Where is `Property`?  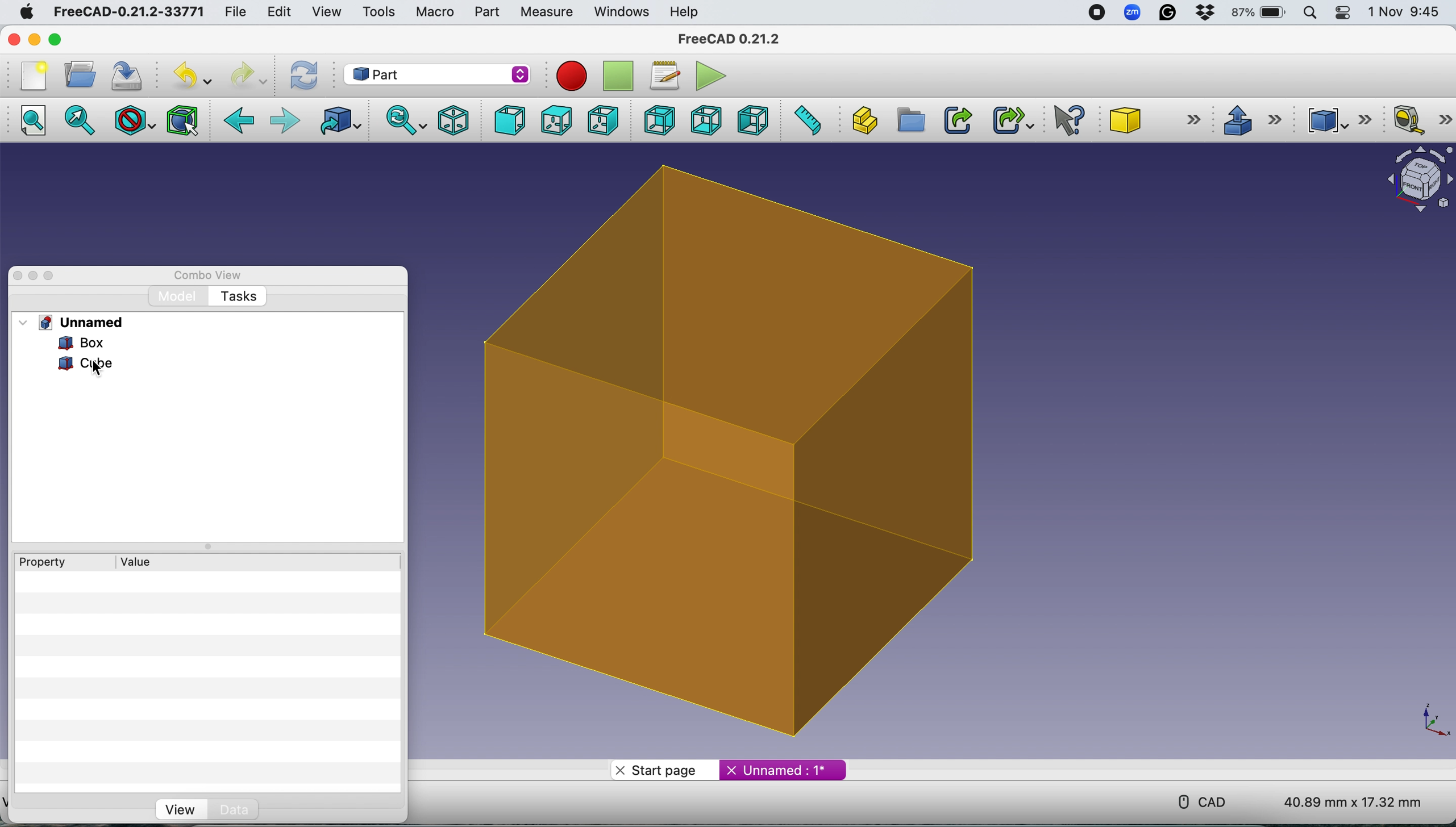 Property is located at coordinates (37, 562).